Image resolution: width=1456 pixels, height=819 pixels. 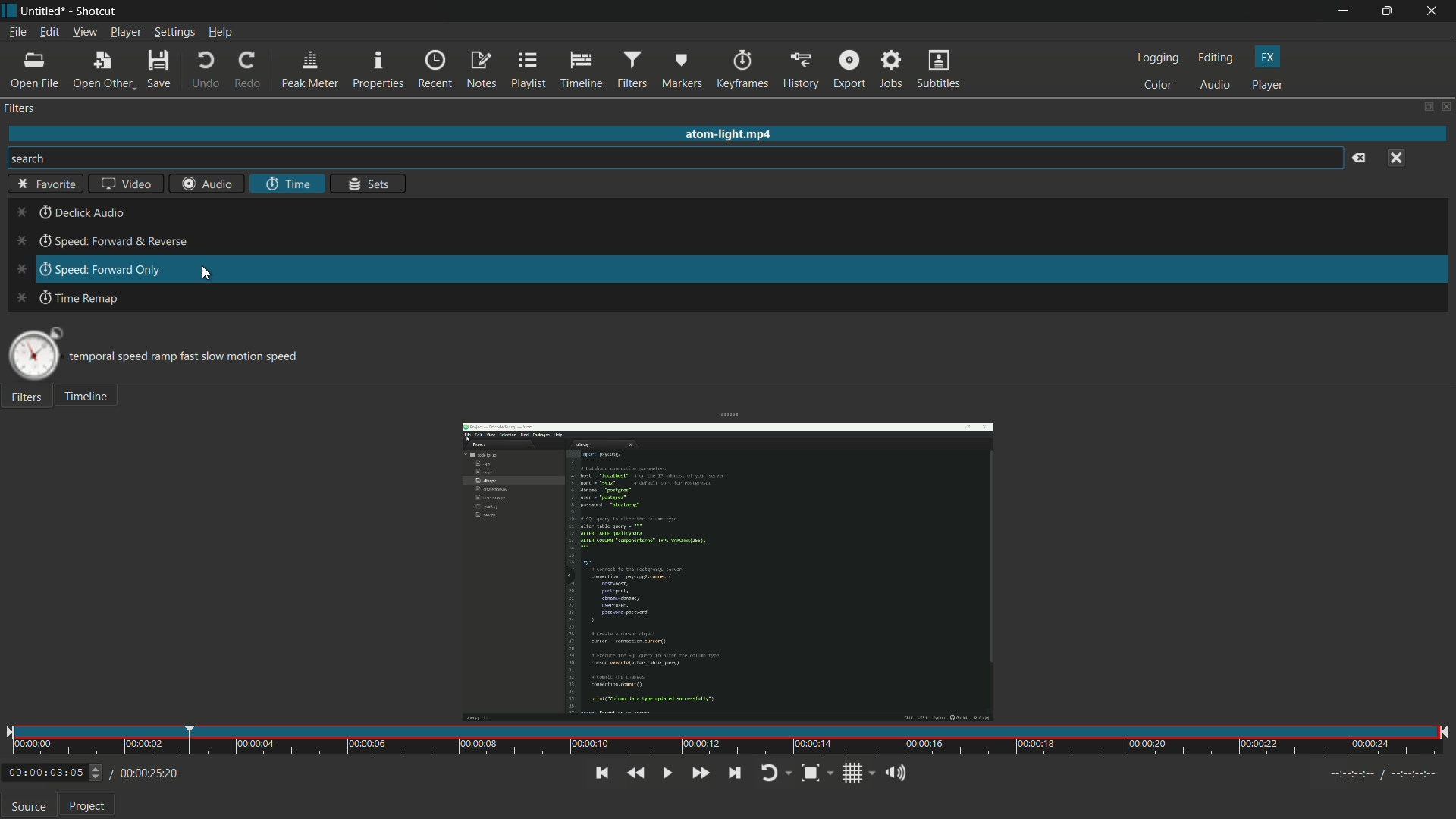 I want to click on close app, so click(x=1435, y=11).